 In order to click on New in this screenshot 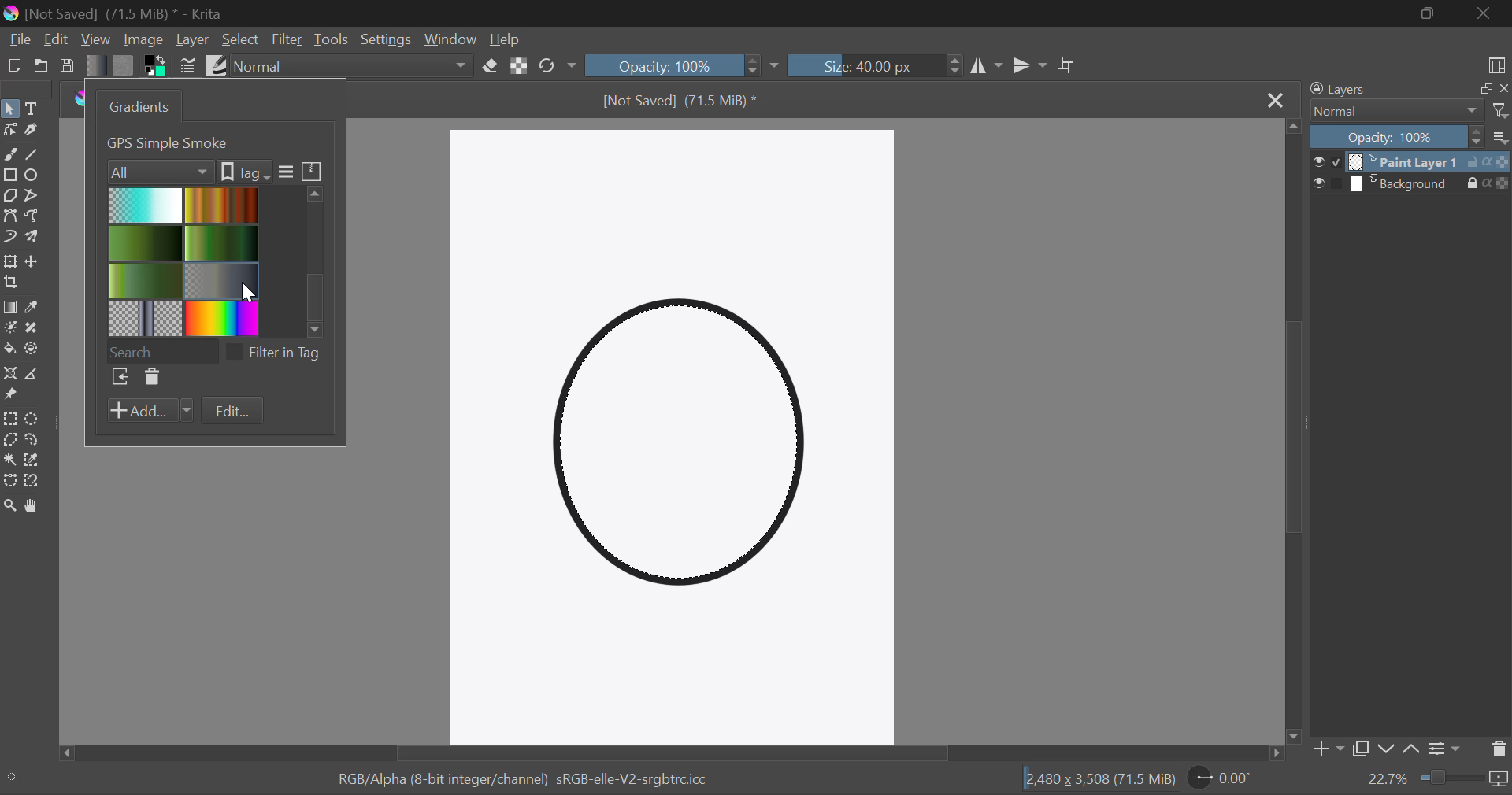, I will do `click(13, 66)`.